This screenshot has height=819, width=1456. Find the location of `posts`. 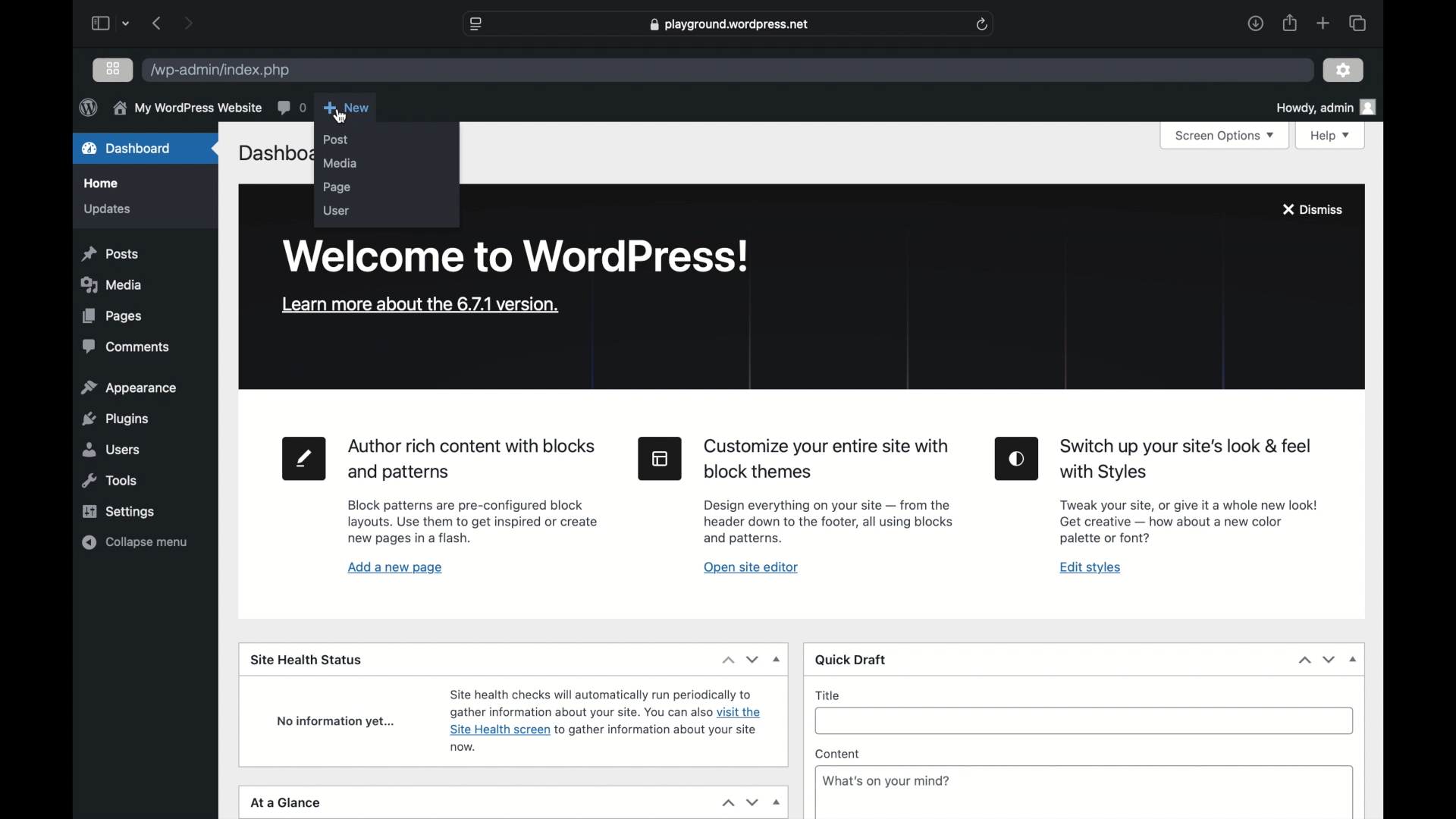

posts is located at coordinates (111, 254).